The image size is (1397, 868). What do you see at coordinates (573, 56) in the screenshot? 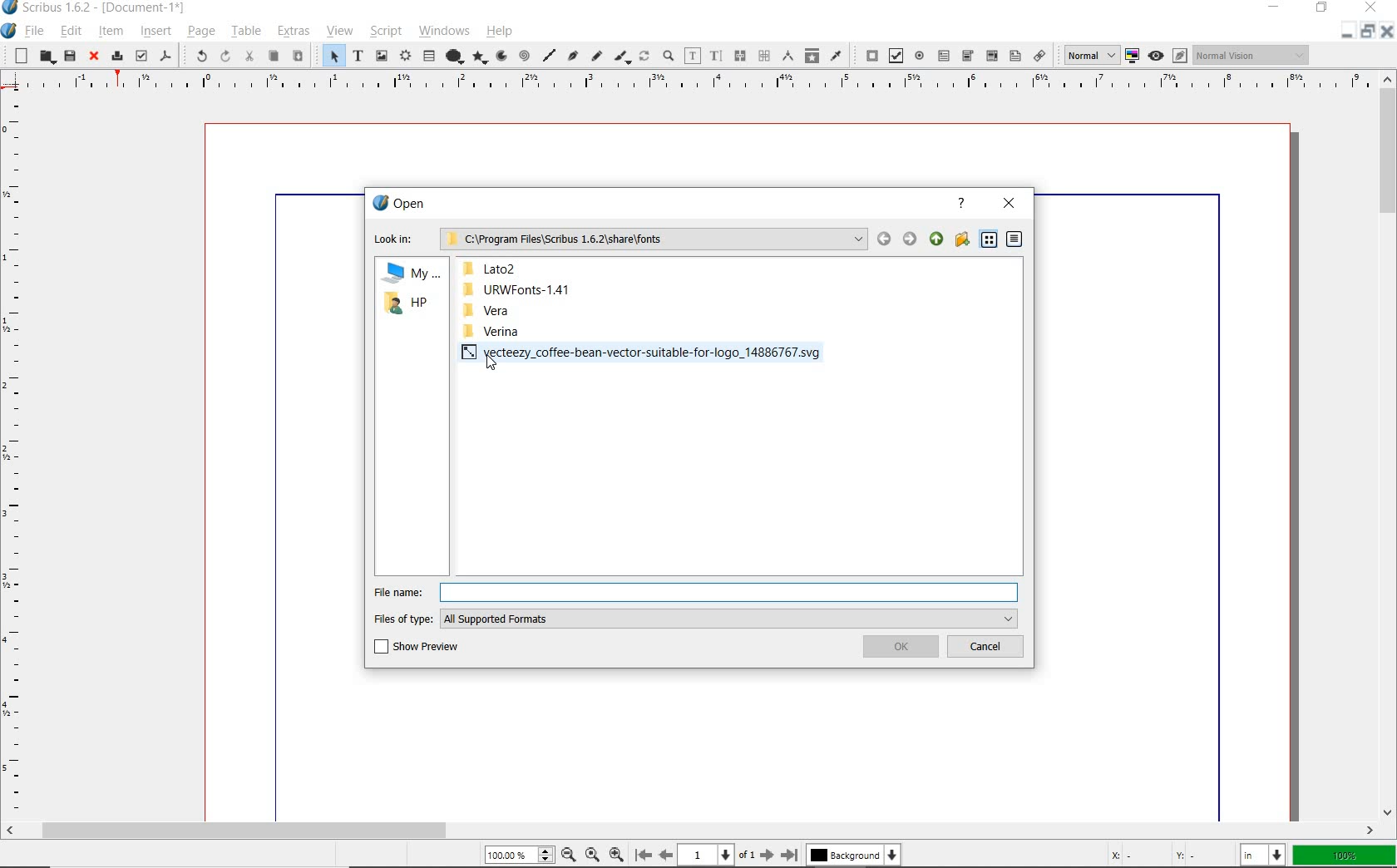
I see `Bezier curve` at bounding box center [573, 56].